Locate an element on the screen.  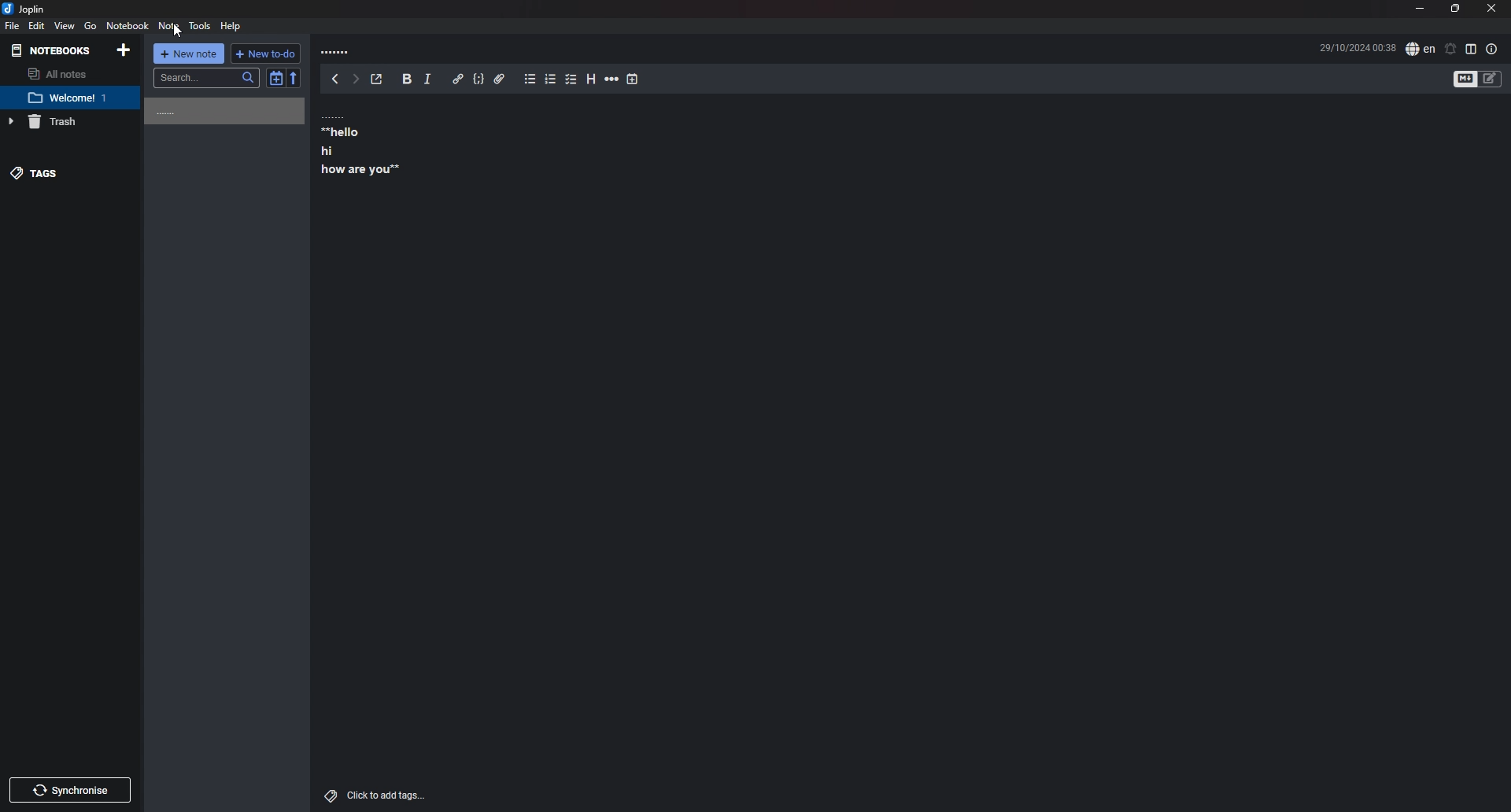
back is located at coordinates (332, 79).